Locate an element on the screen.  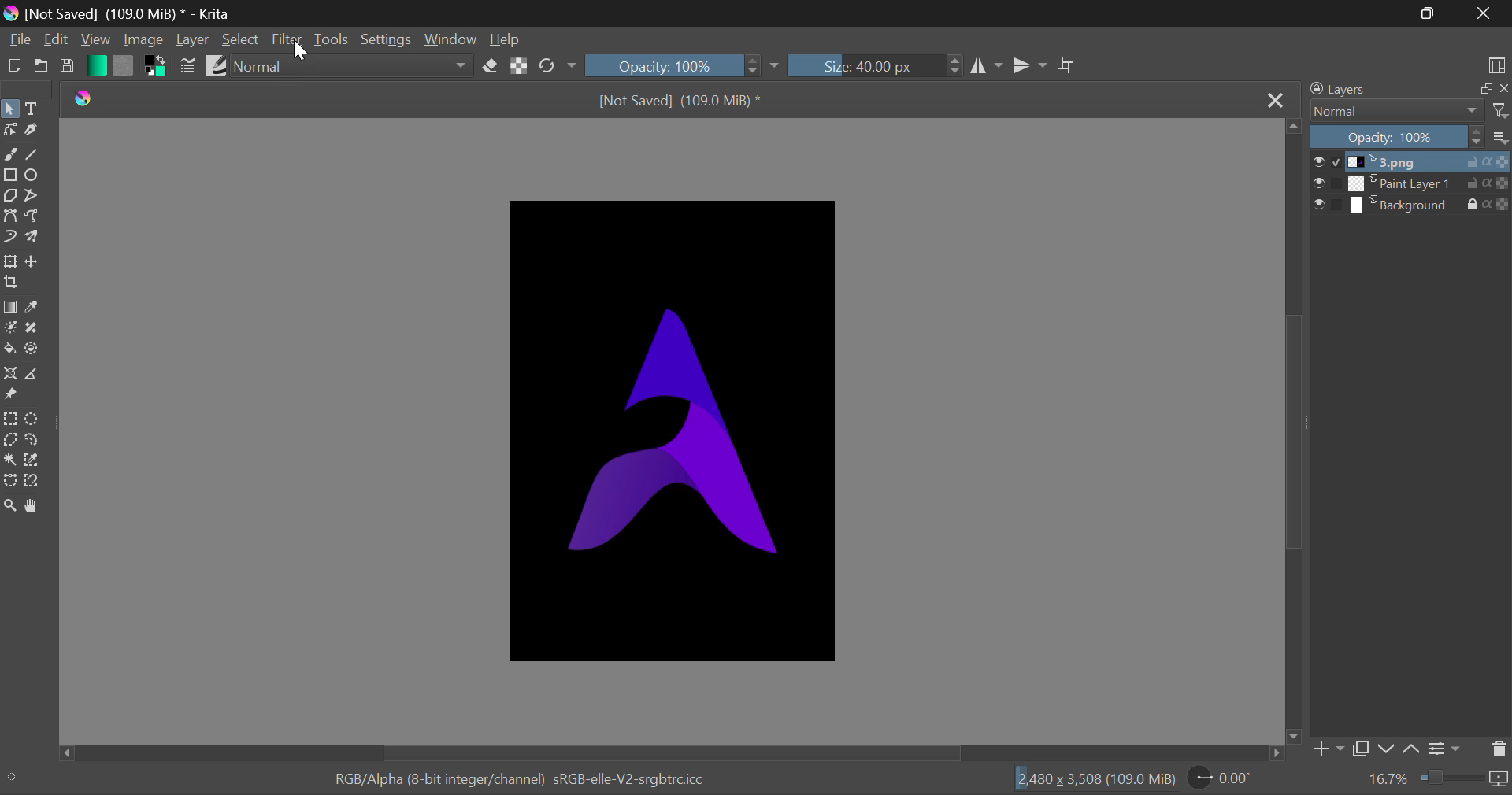
Assistant Tool is located at coordinates (9, 374).